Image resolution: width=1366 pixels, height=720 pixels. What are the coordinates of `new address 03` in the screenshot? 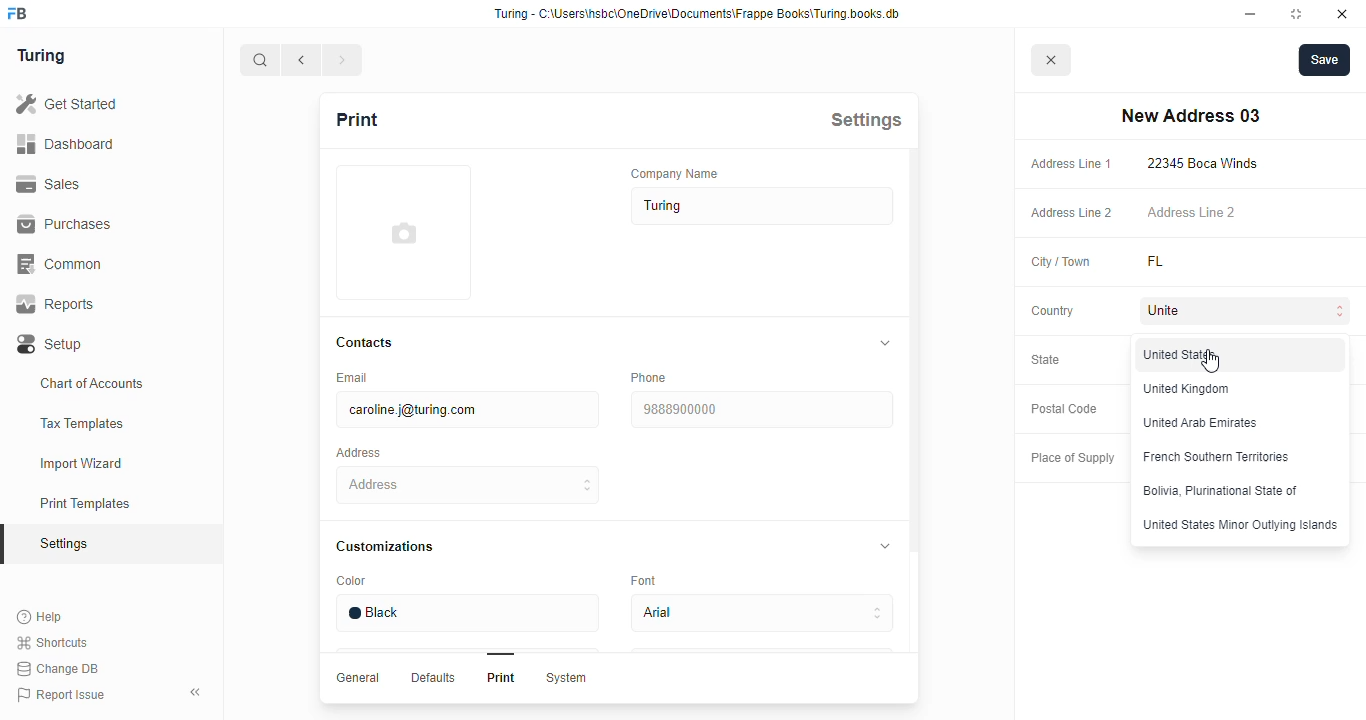 It's located at (1190, 116).